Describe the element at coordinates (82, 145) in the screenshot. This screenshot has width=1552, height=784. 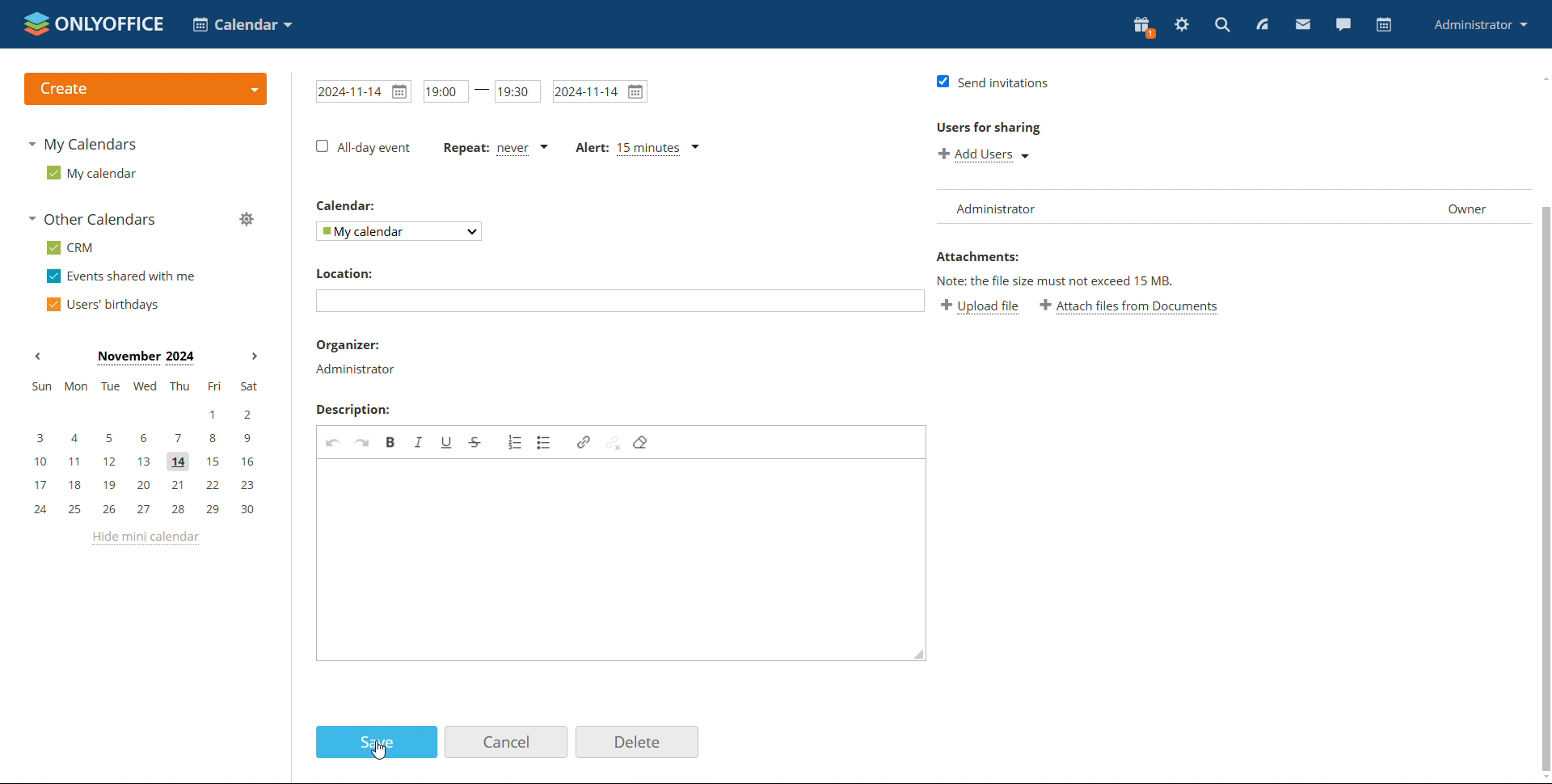
I see `my calendars` at that location.